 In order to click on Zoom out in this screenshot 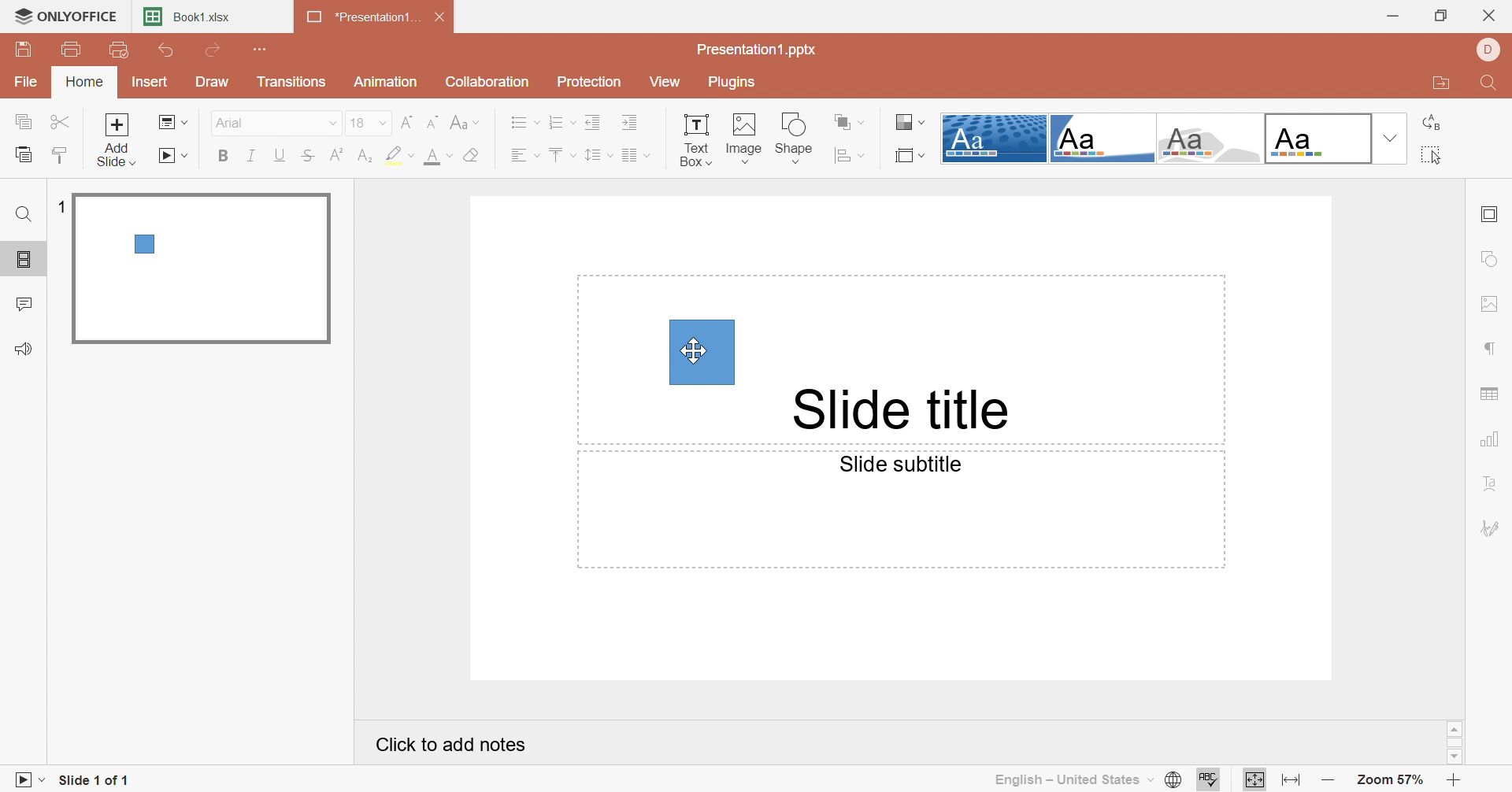, I will do `click(1329, 778)`.